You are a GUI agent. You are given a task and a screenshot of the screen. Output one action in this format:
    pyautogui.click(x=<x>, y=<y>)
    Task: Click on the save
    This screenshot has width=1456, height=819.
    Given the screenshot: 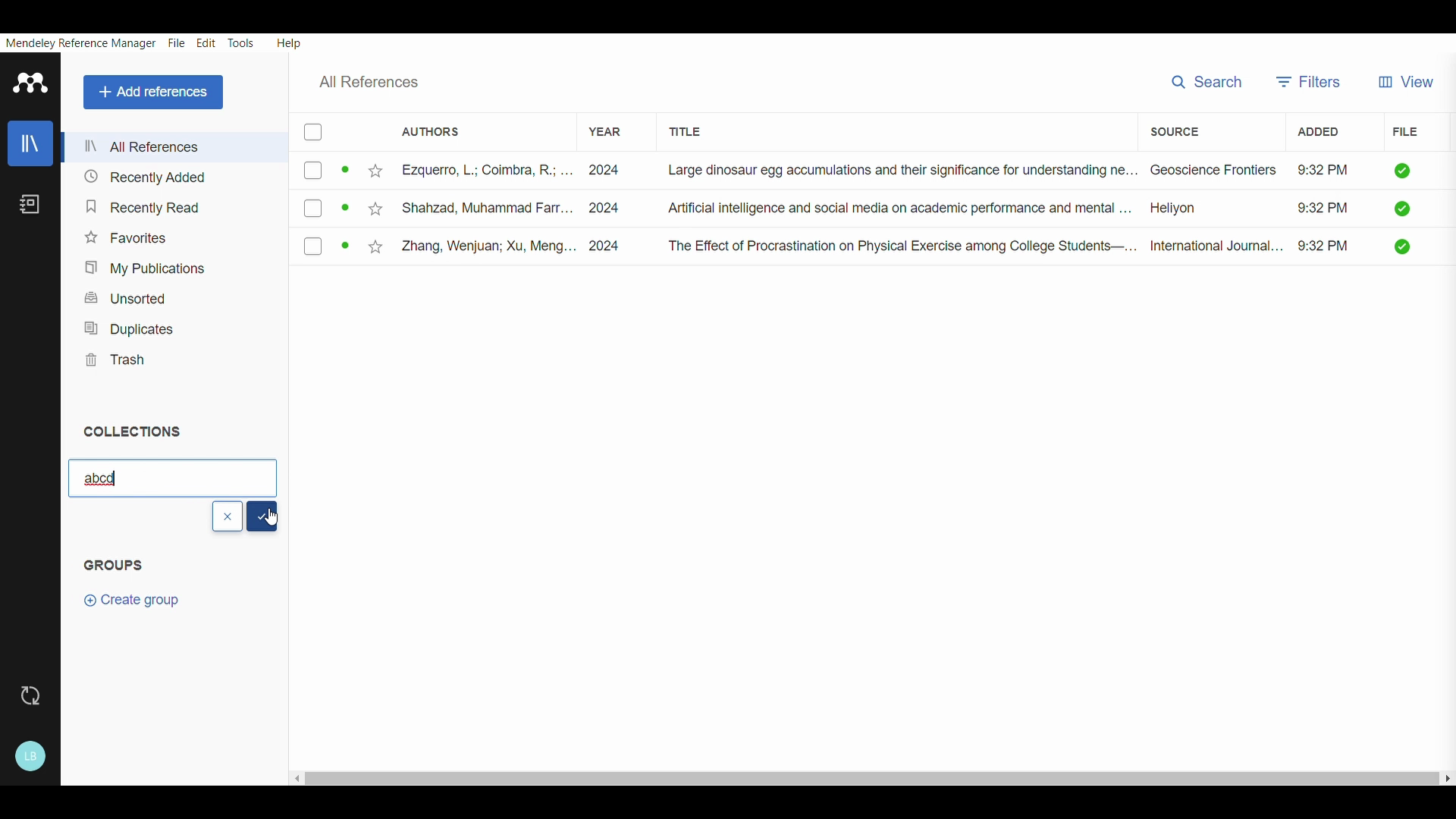 What is the action you would take?
    pyautogui.click(x=265, y=516)
    